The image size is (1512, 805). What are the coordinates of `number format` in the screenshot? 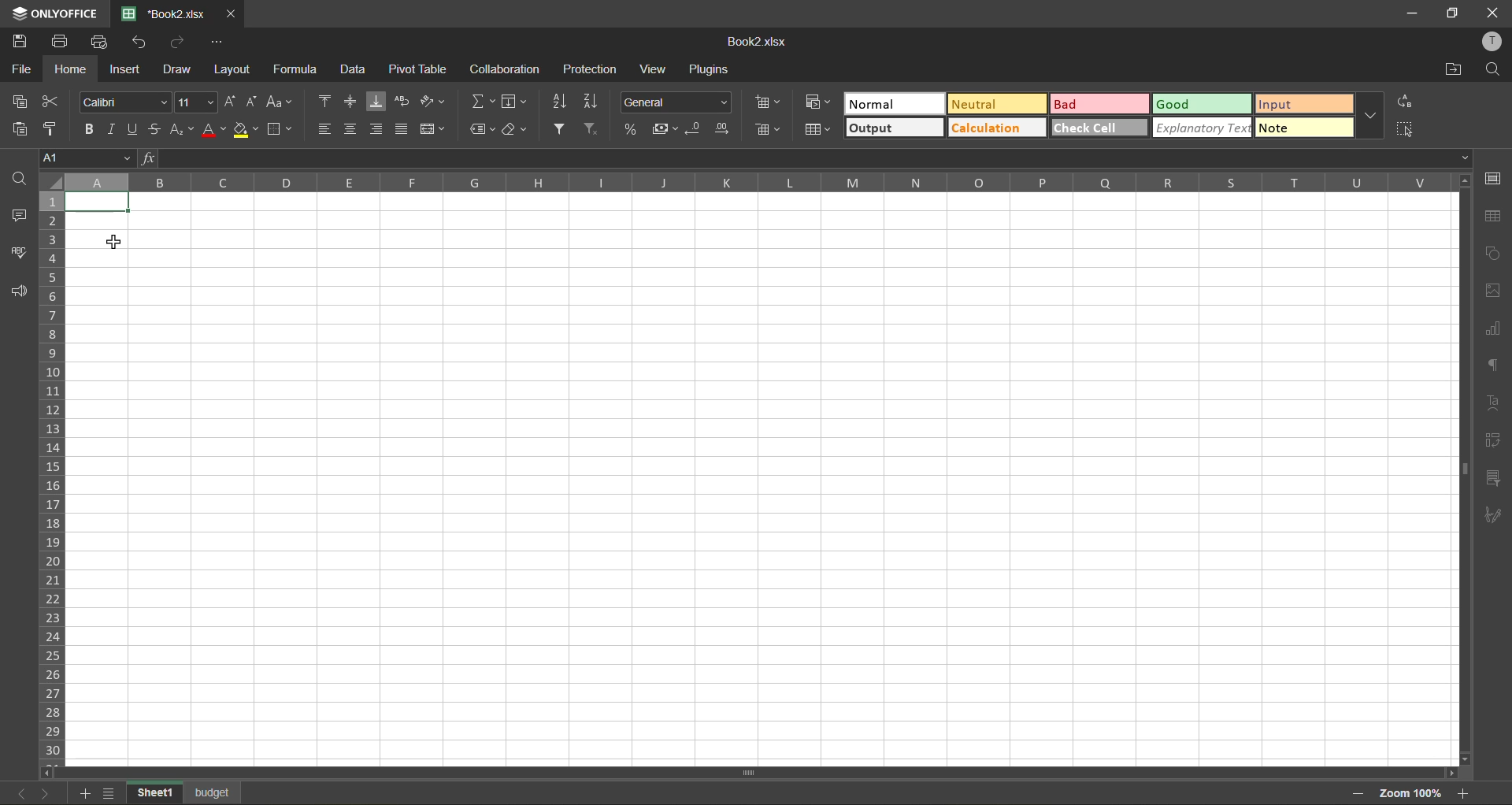 It's located at (675, 103).